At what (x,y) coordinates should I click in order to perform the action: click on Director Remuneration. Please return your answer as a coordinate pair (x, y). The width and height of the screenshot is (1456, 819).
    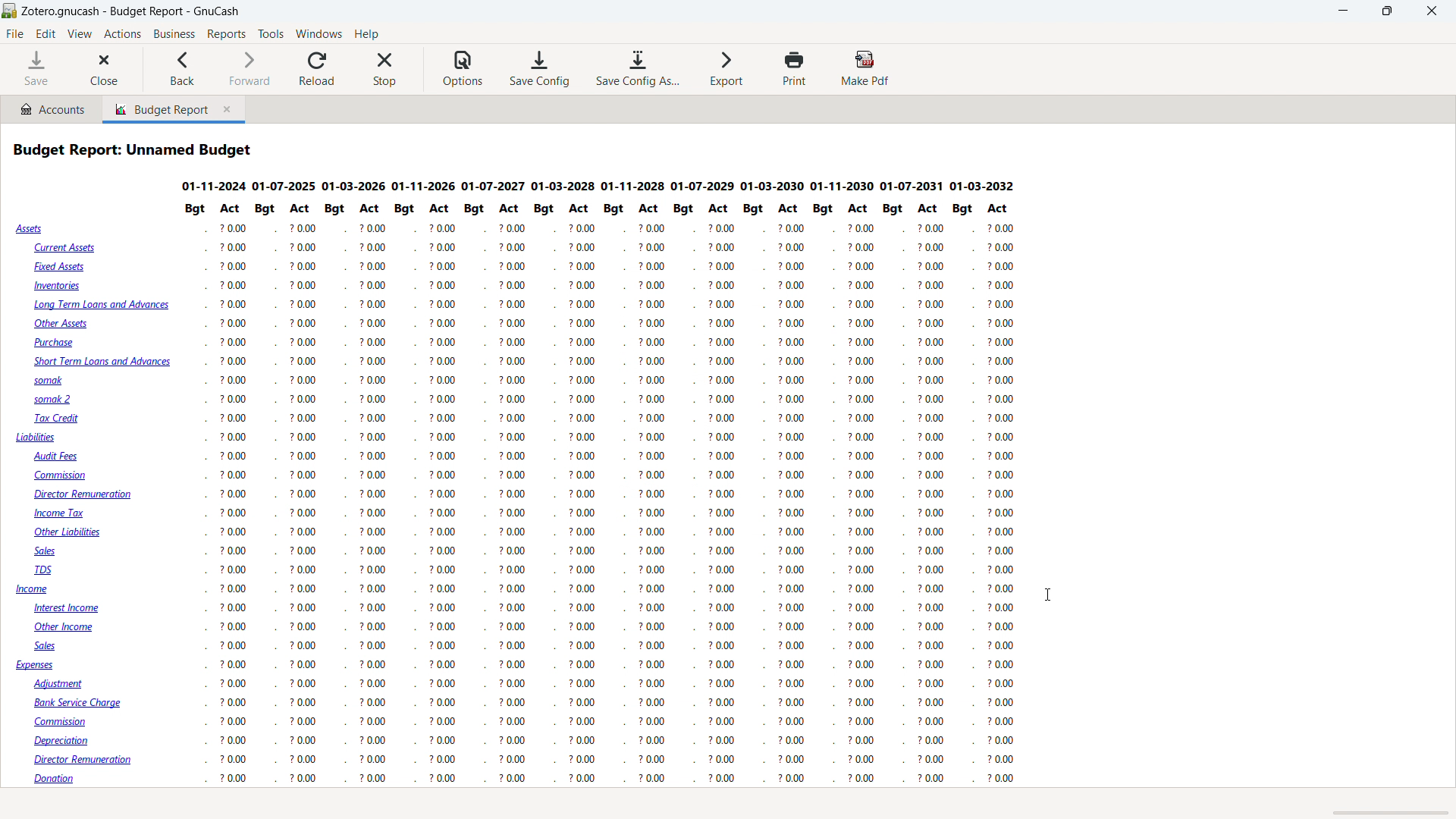
    Looking at the image, I should click on (89, 760).